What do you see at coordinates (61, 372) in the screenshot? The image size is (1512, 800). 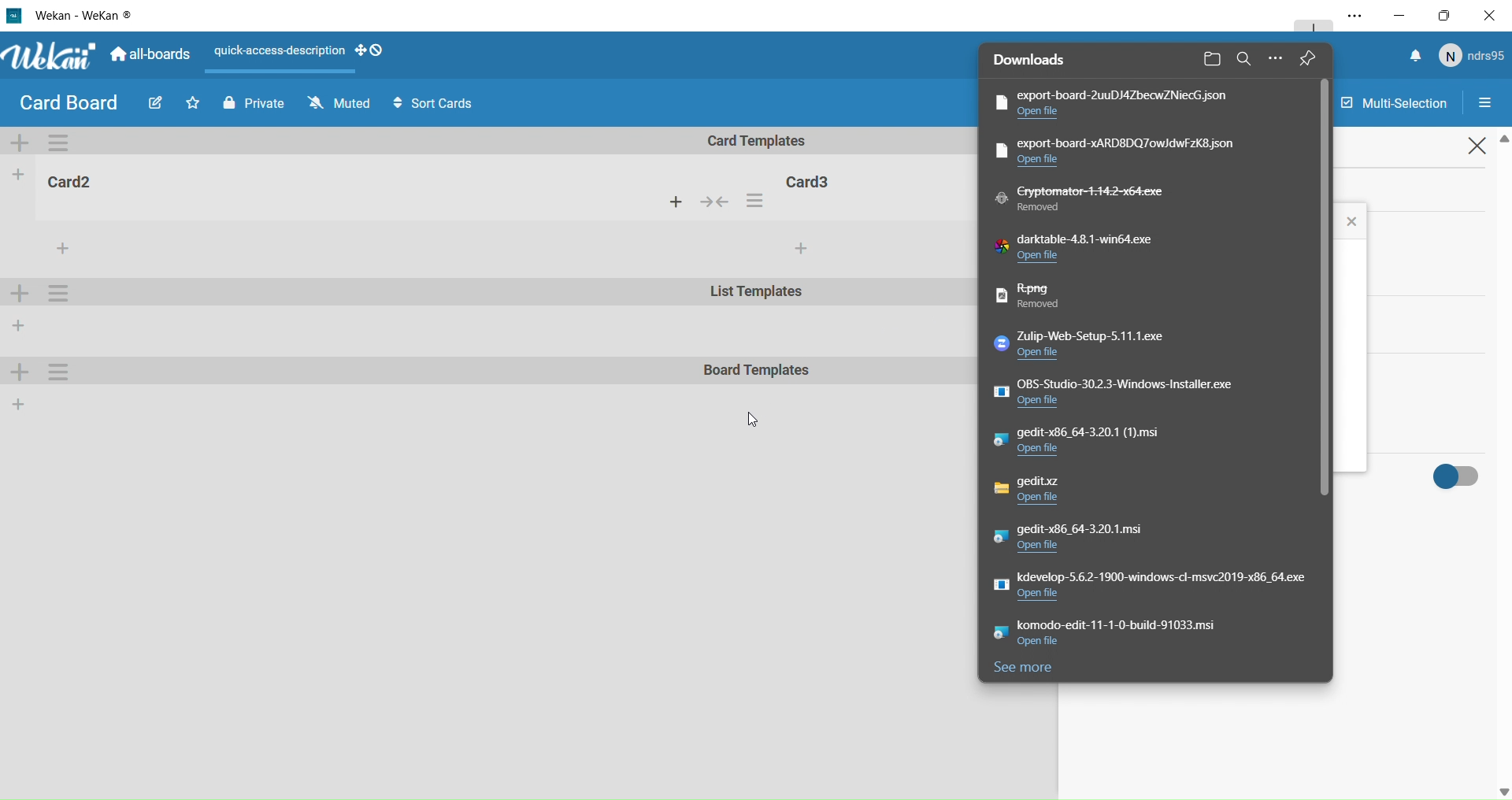 I see `Settings` at bounding box center [61, 372].